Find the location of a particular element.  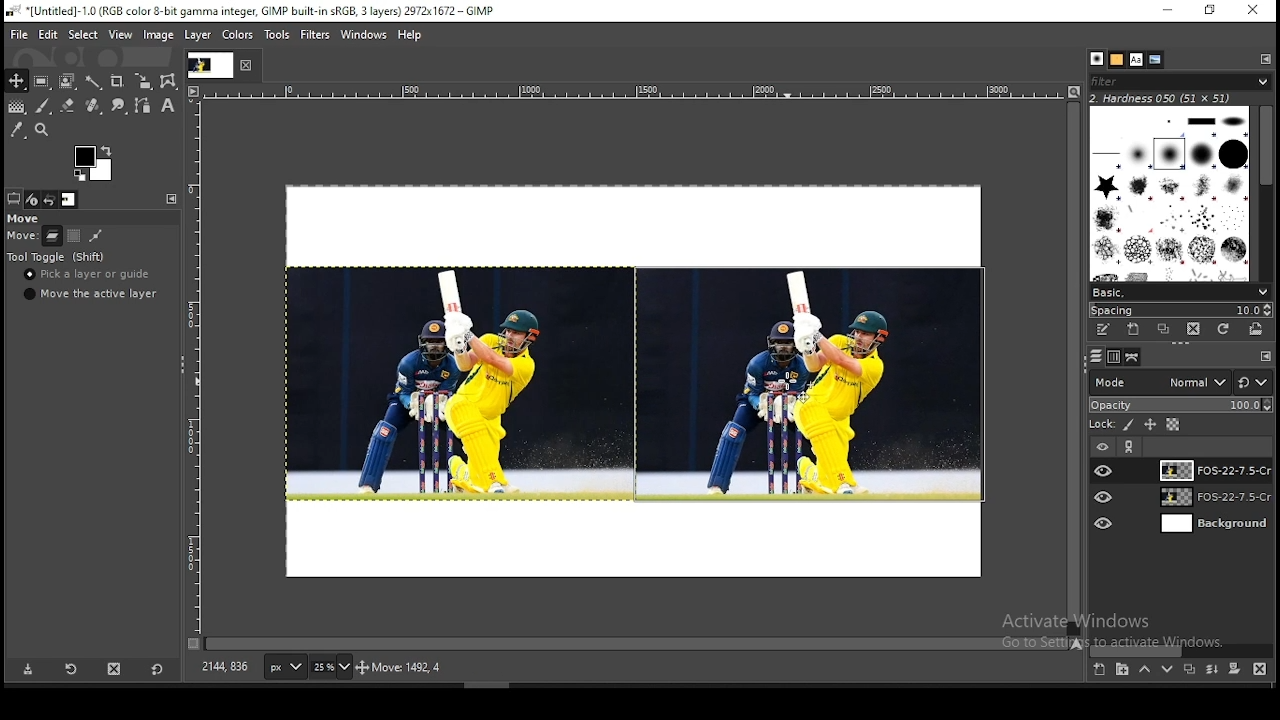

edit is located at coordinates (50, 34).